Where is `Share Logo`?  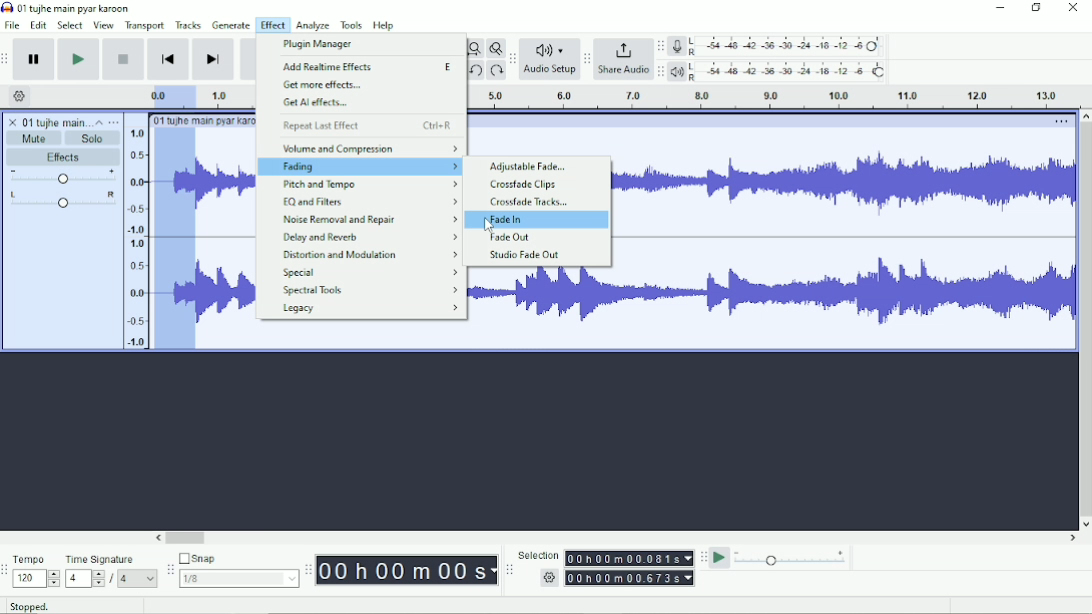 Share Logo is located at coordinates (621, 49).